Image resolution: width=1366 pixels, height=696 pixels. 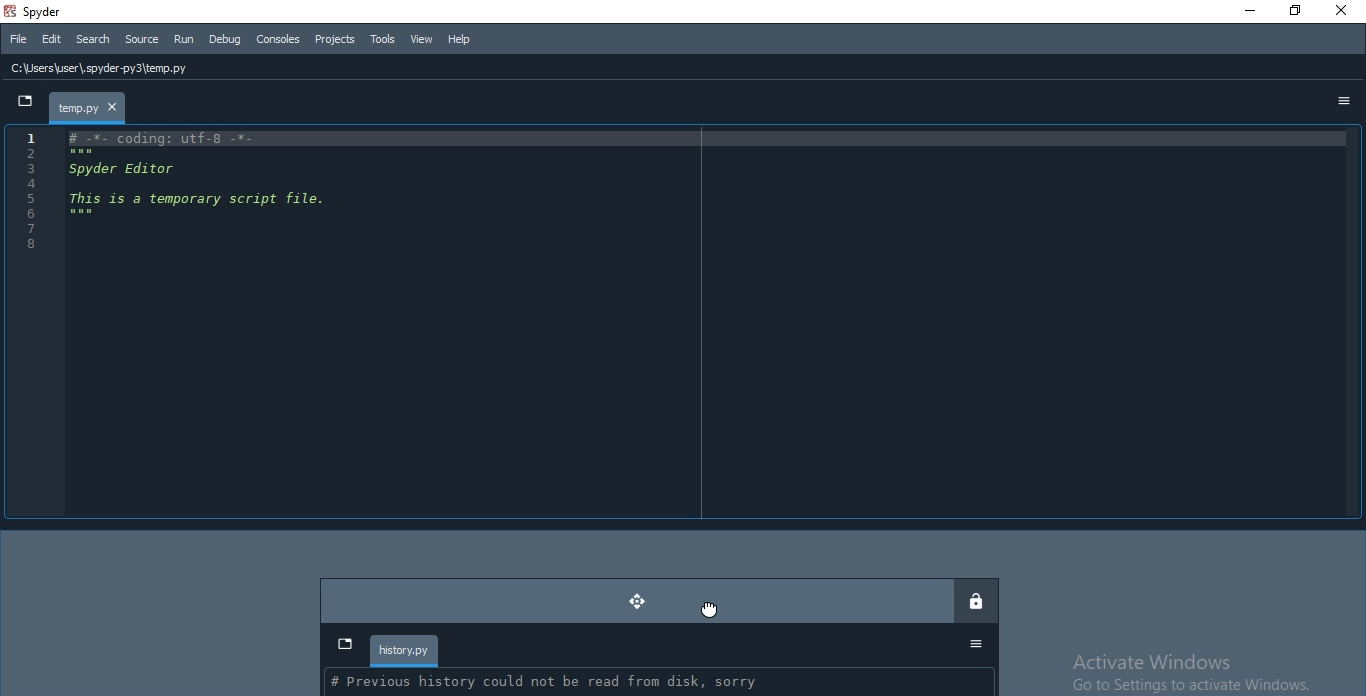 I want to click on spyder, so click(x=40, y=12).